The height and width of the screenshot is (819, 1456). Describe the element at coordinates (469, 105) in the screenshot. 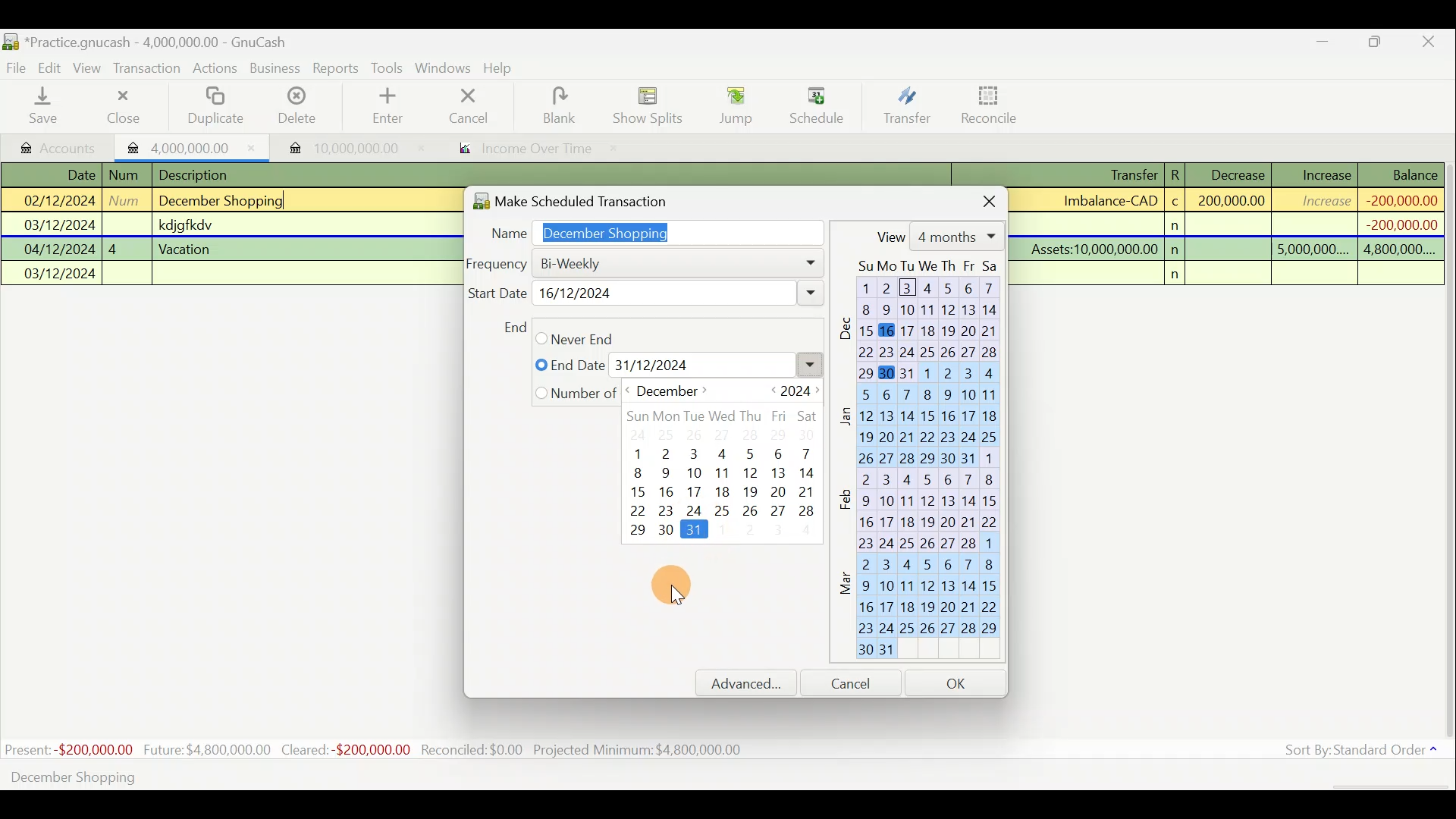

I see `Cancel` at that location.